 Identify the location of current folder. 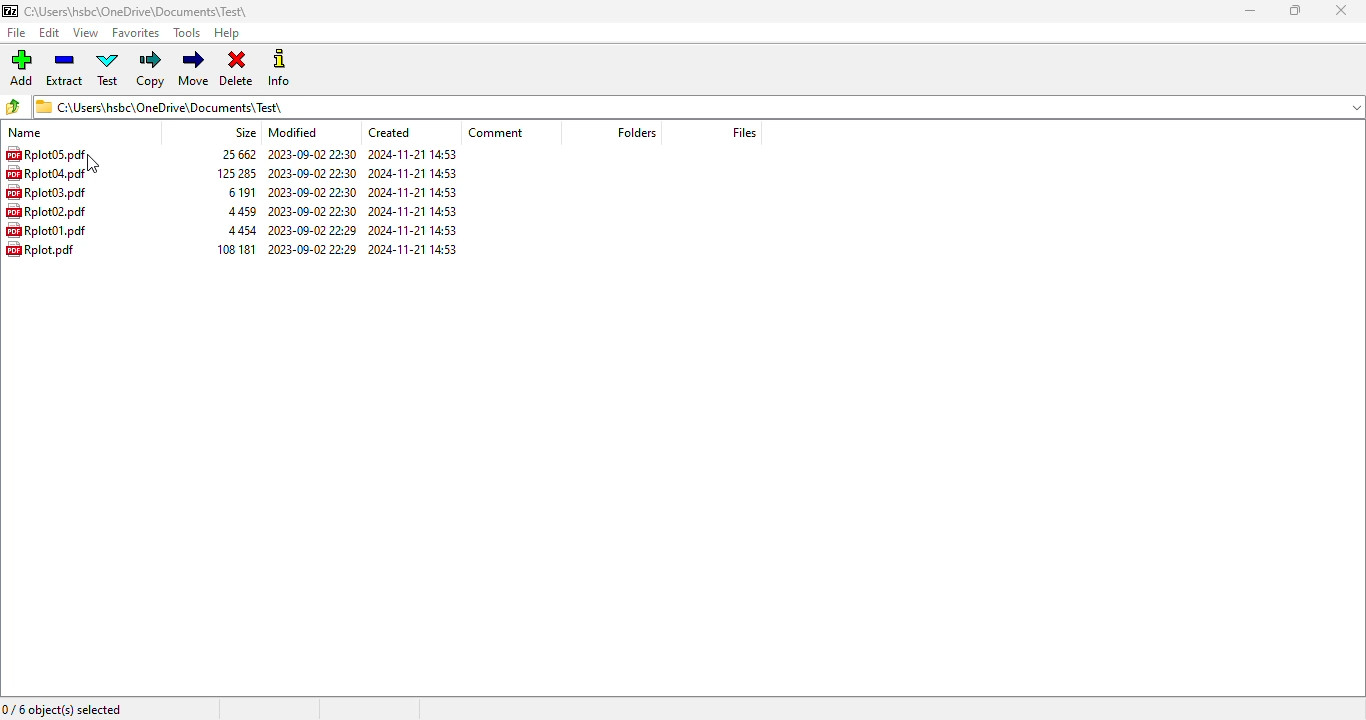
(698, 106).